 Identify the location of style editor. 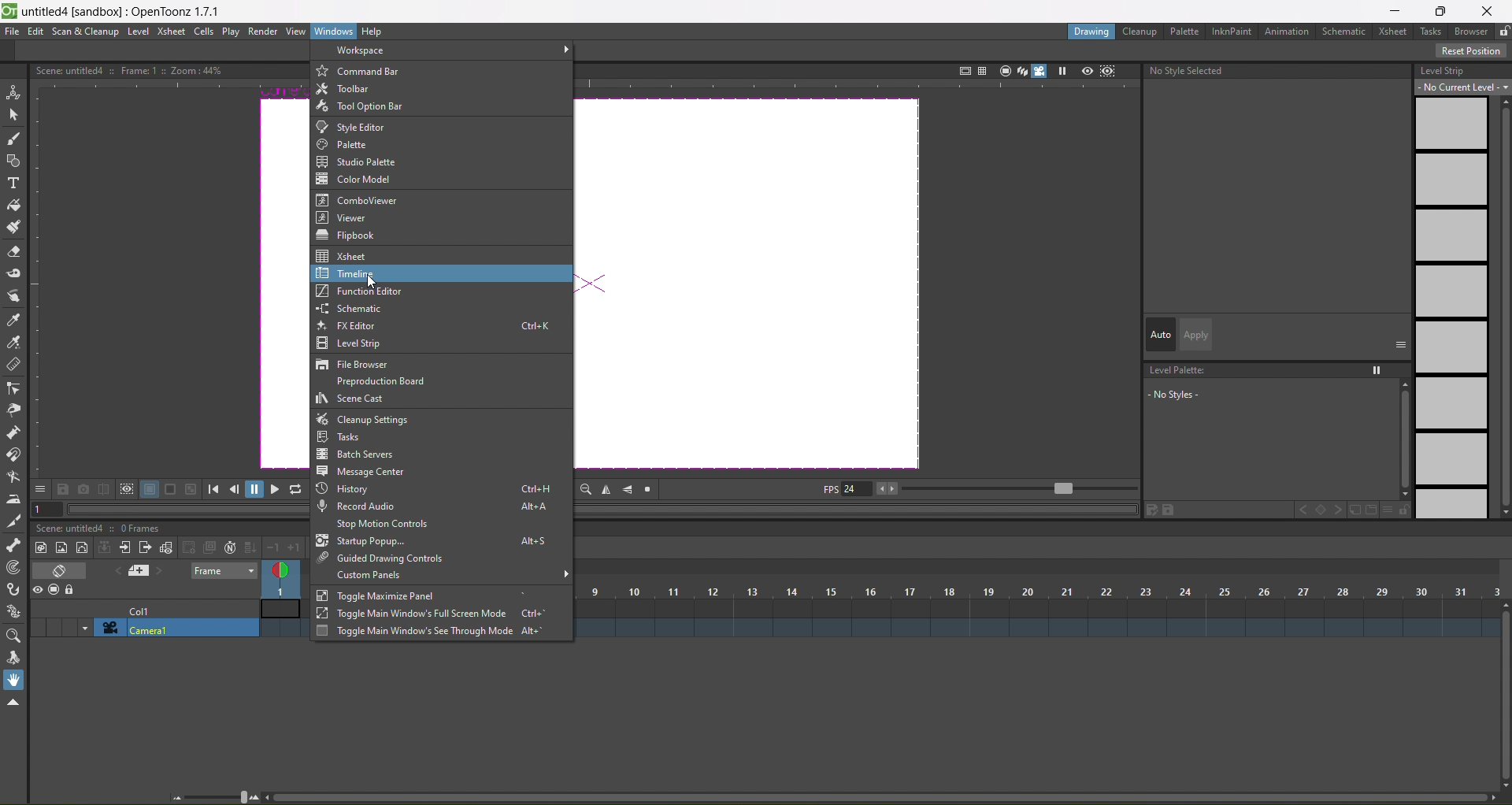
(360, 128).